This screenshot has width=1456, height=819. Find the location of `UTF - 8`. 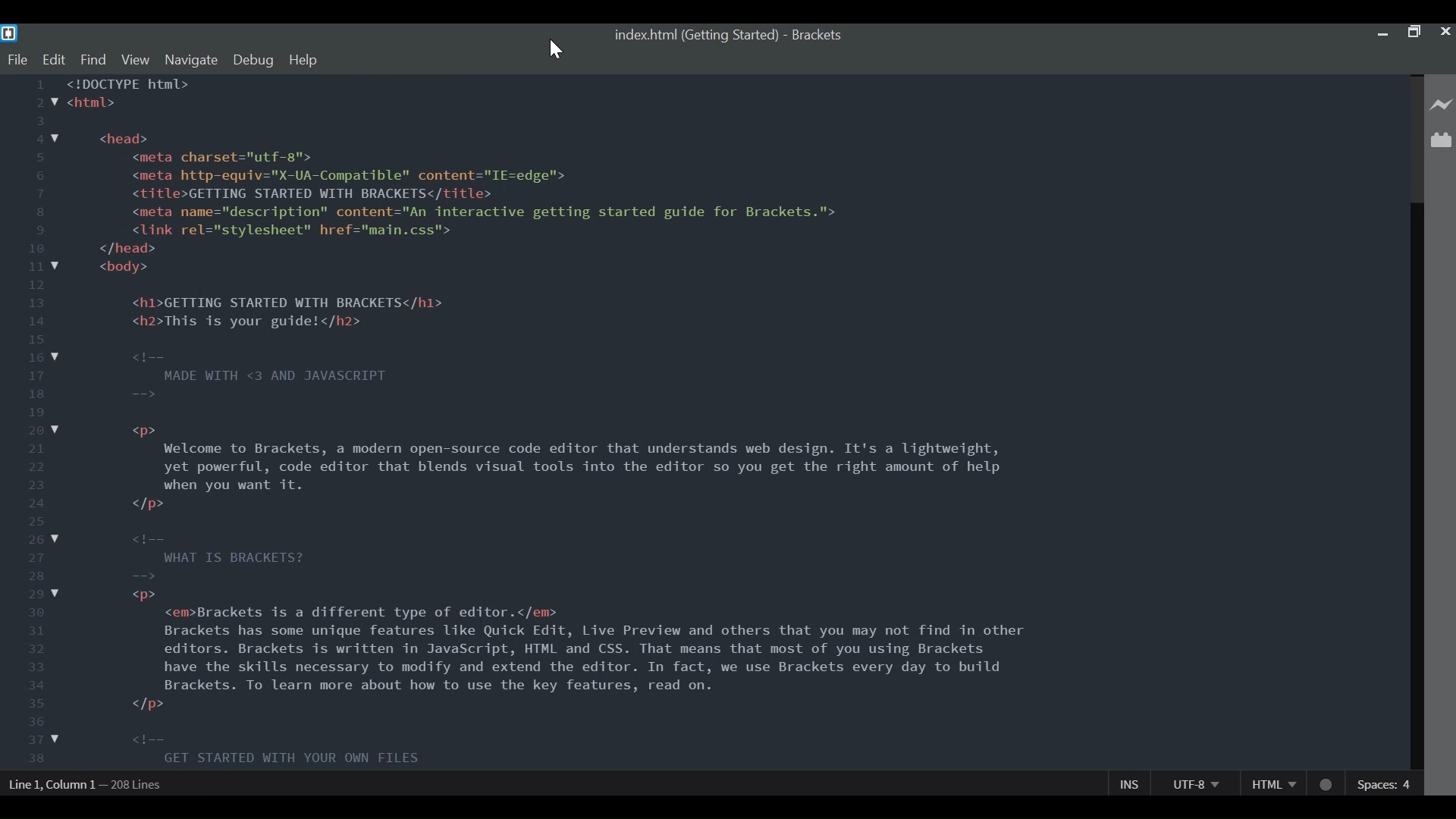

UTF - 8 is located at coordinates (1194, 783).